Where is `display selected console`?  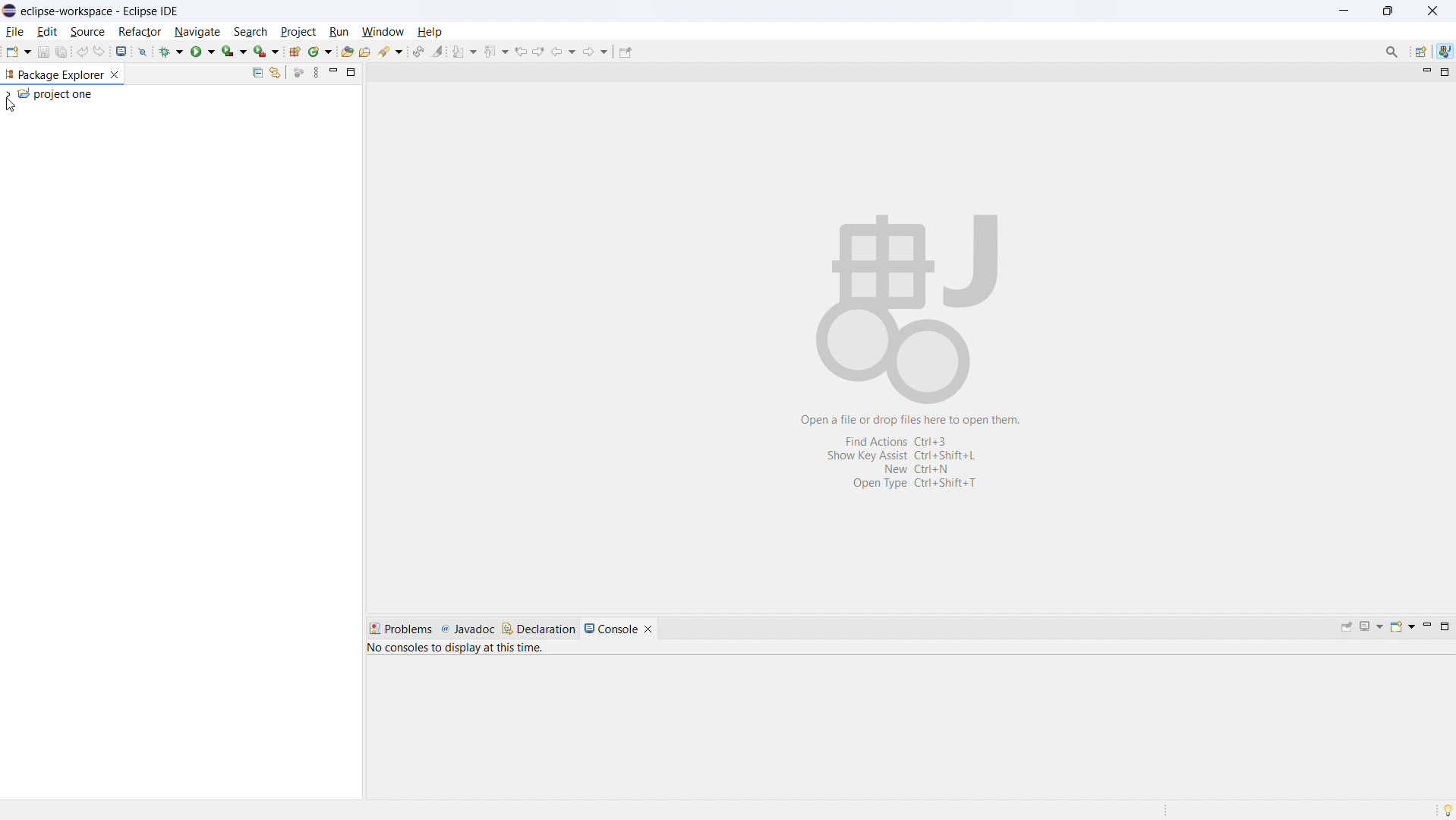
display selected console is located at coordinates (1371, 627).